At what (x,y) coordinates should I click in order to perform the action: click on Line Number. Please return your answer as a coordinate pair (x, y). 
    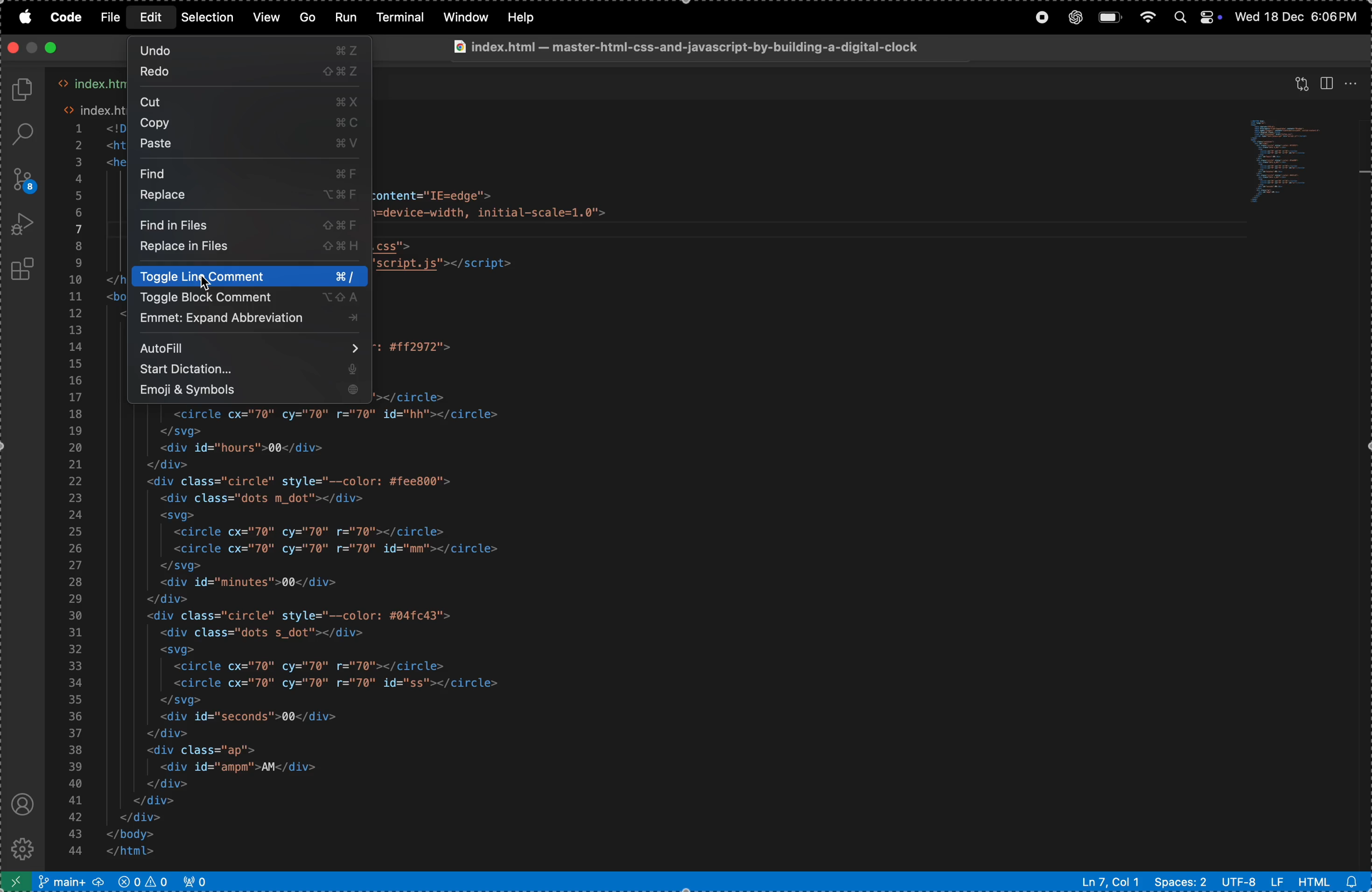
    Looking at the image, I should click on (76, 493).